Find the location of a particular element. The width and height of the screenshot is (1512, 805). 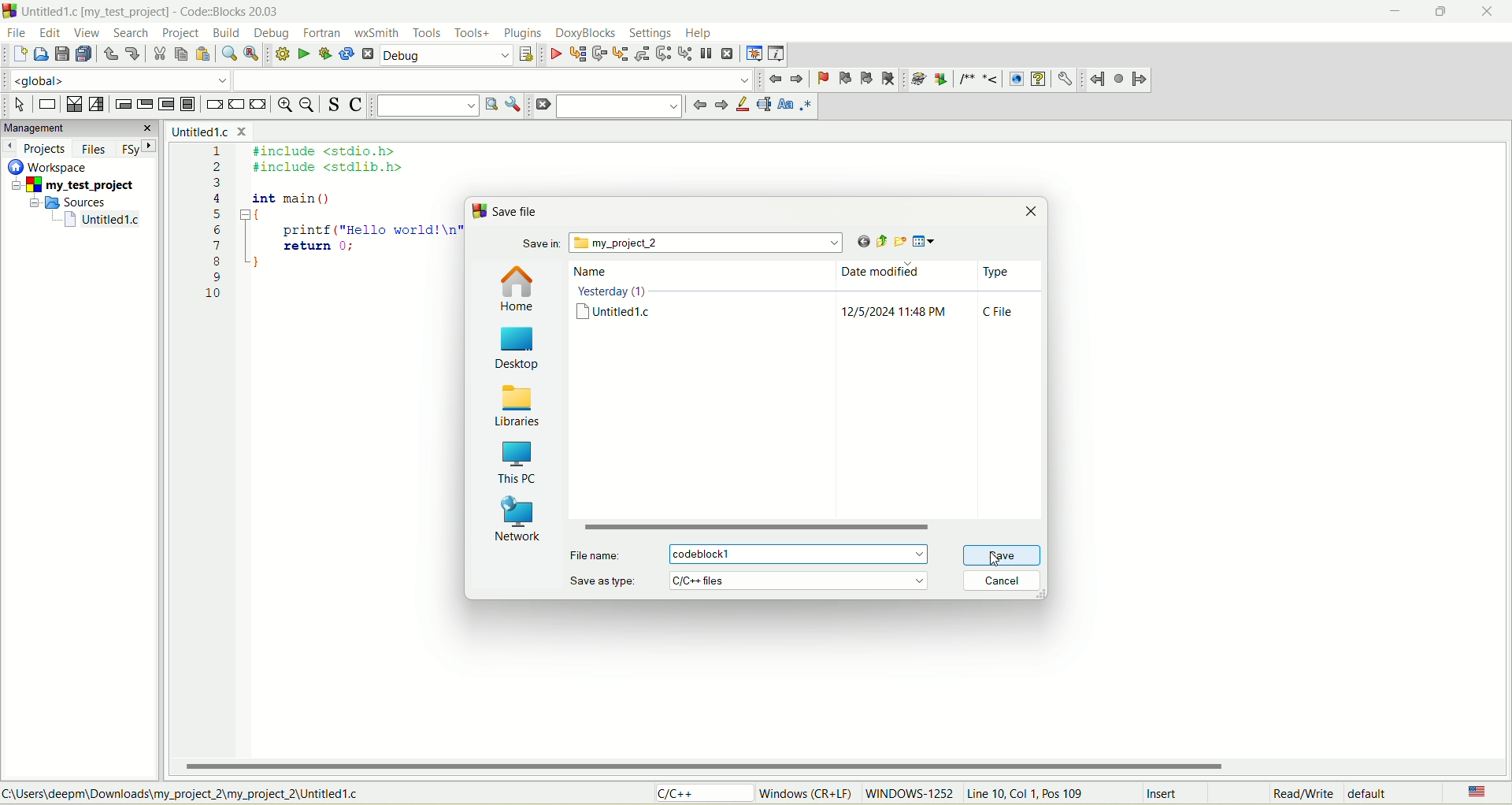

wxSmith is located at coordinates (379, 35).